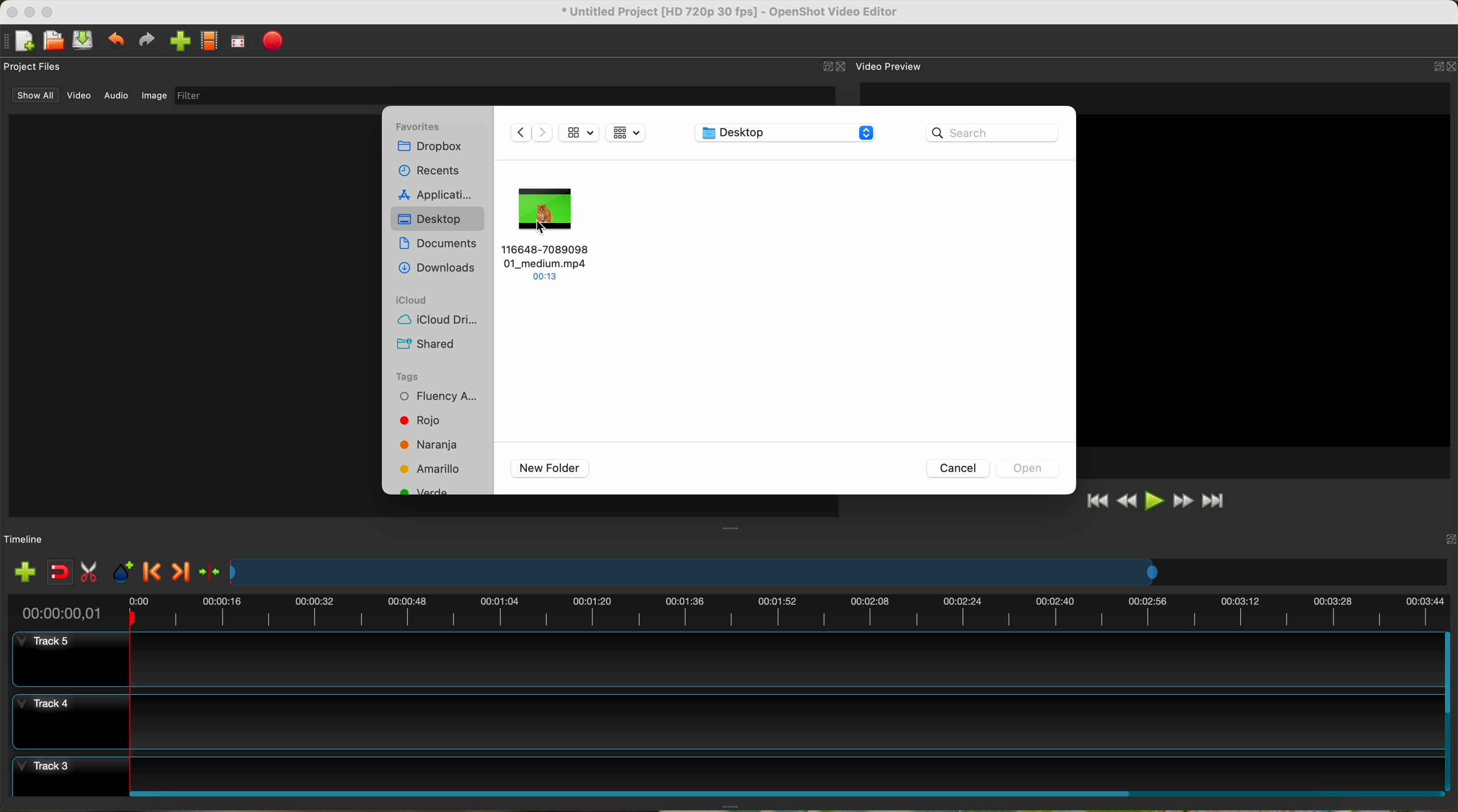 The width and height of the screenshot is (1458, 812). Describe the element at coordinates (439, 246) in the screenshot. I see `documents` at that location.